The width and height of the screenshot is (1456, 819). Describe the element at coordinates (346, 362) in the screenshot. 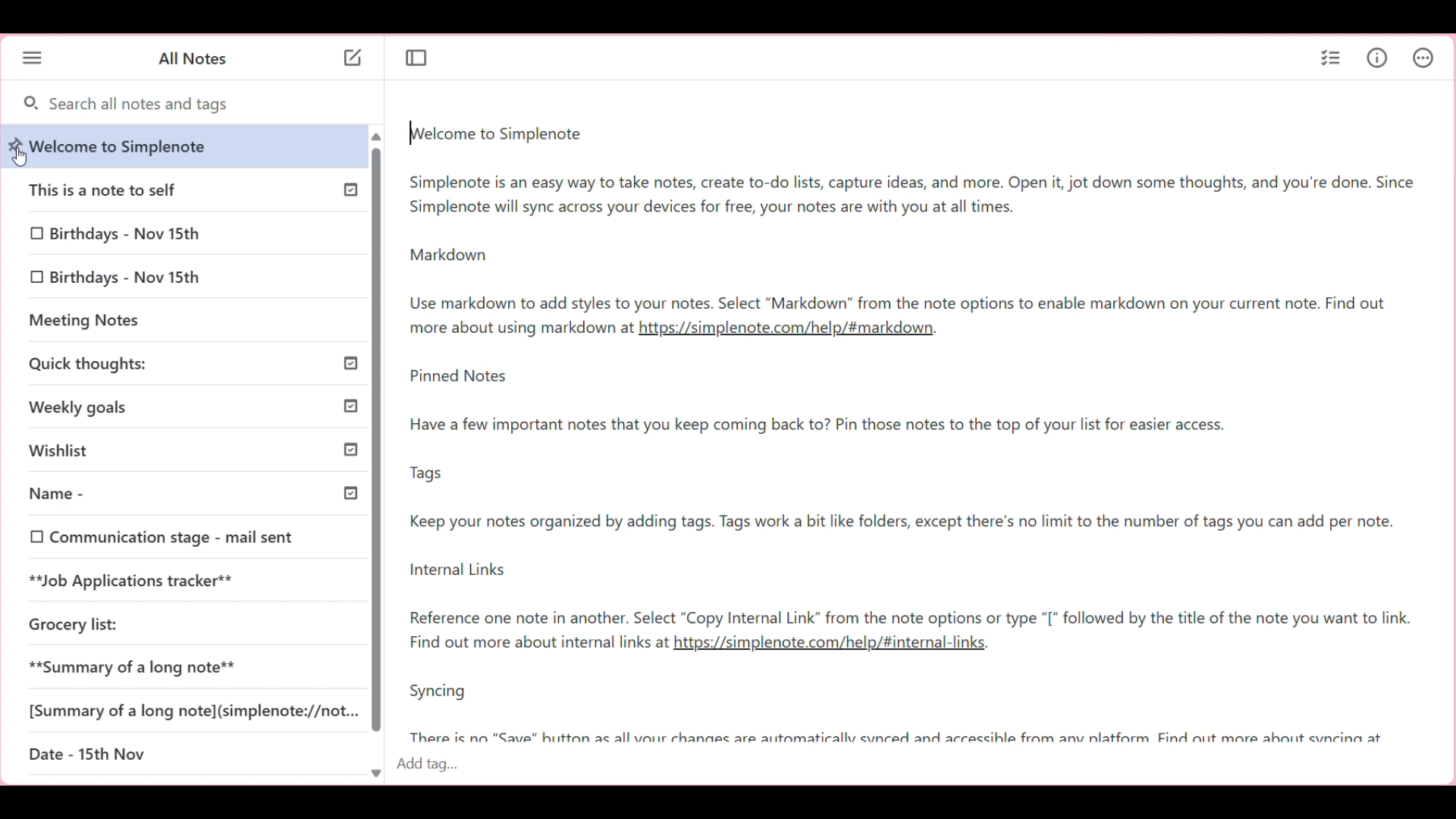

I see `Published` at that location.